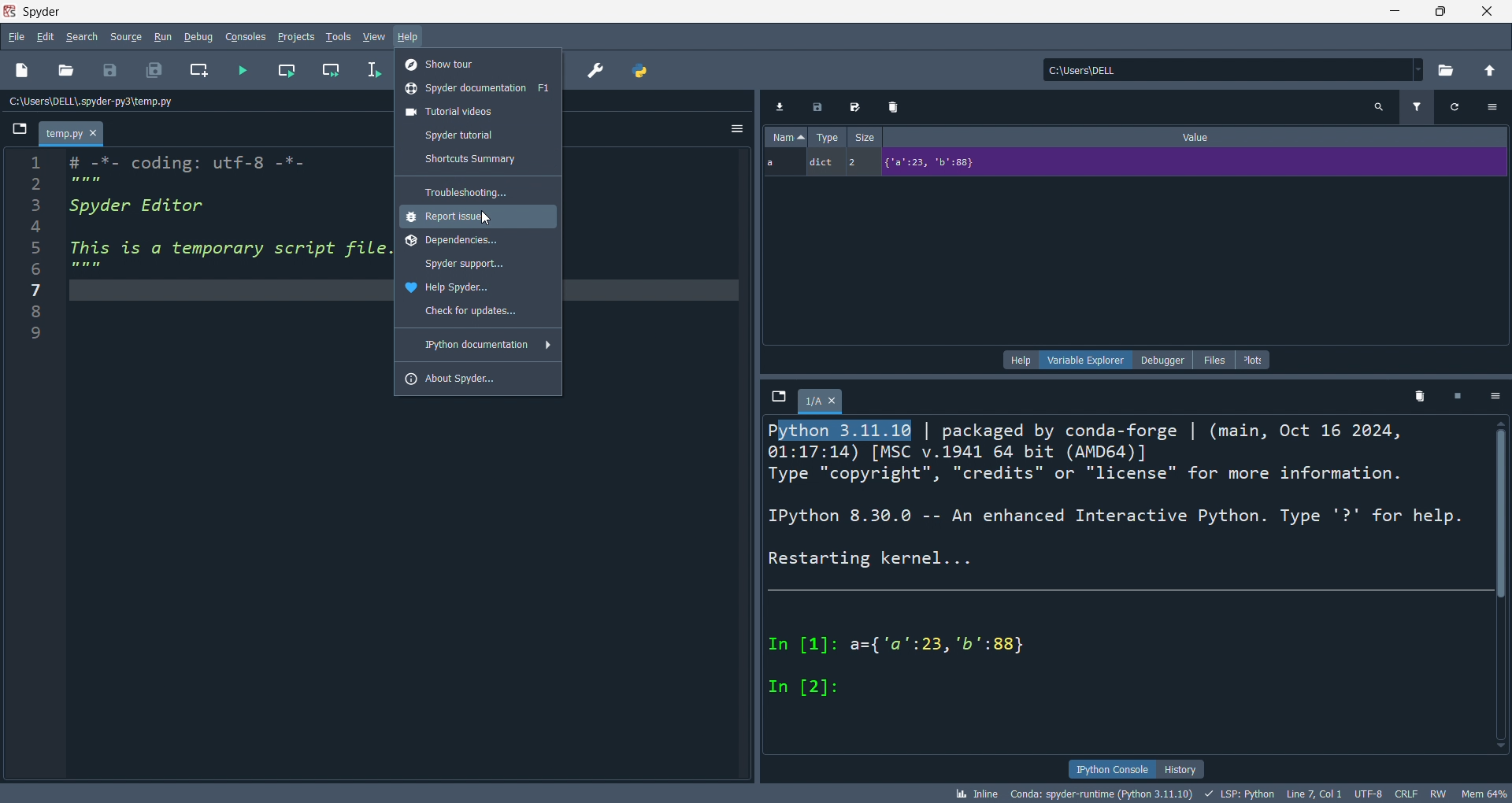  What do you see at coordinates (44, 38) in the screenshot?
I see `edit` at bounding box center [44, 38].